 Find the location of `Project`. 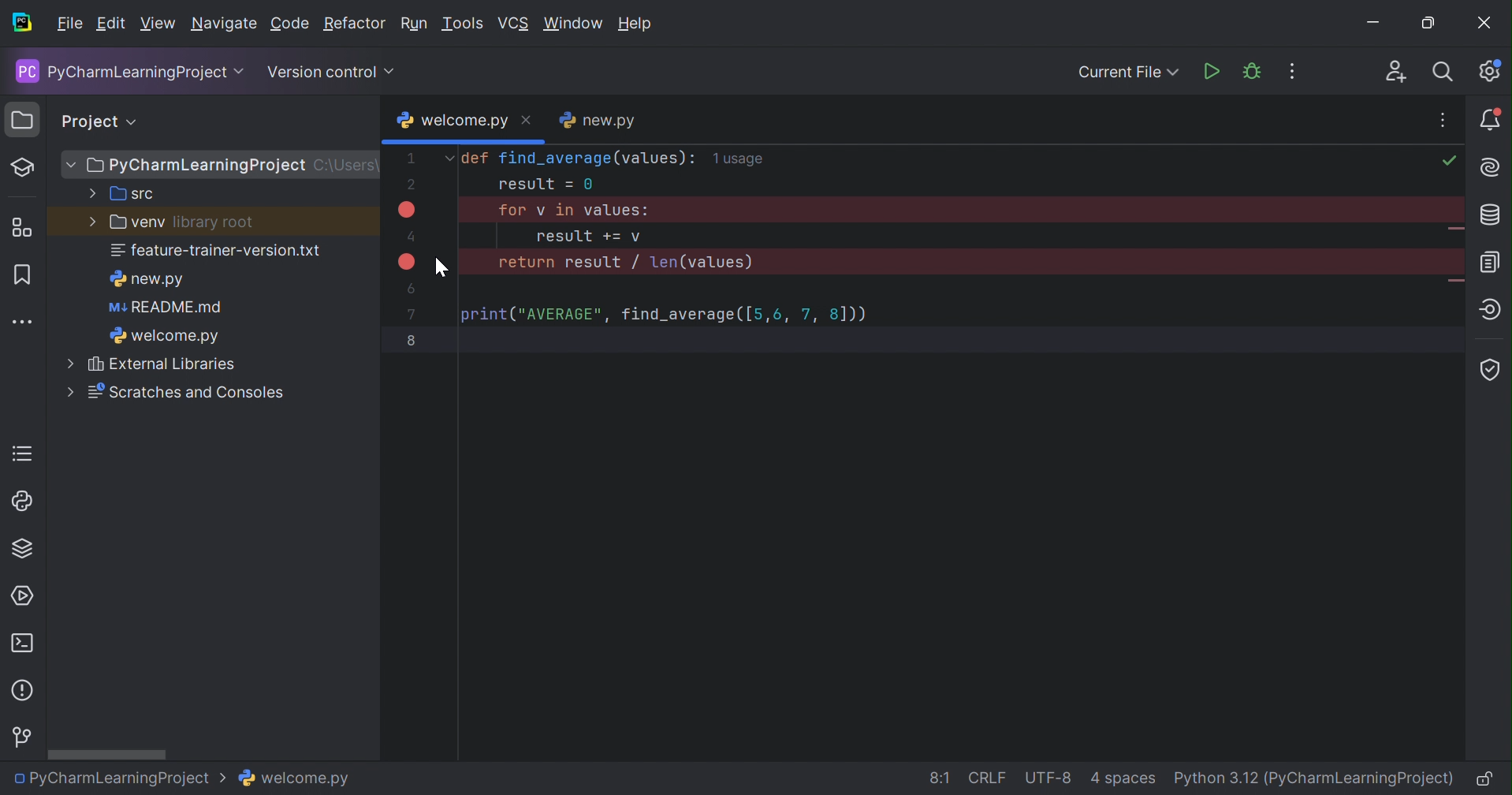

Project is located at coordinates (91, 121).